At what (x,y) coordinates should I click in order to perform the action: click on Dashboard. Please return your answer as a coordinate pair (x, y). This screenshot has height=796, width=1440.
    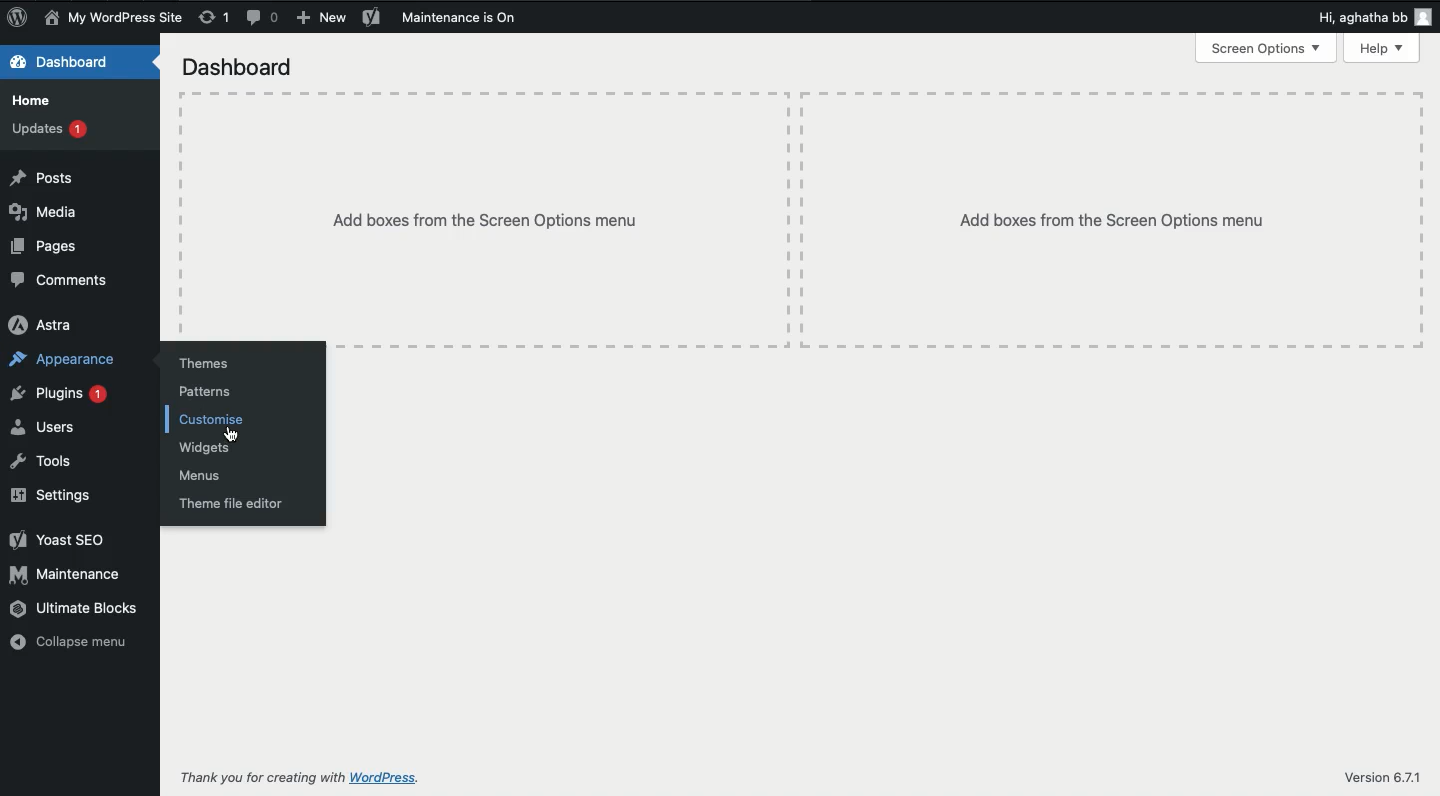
    Looking at the image, I should click on (238, 66).